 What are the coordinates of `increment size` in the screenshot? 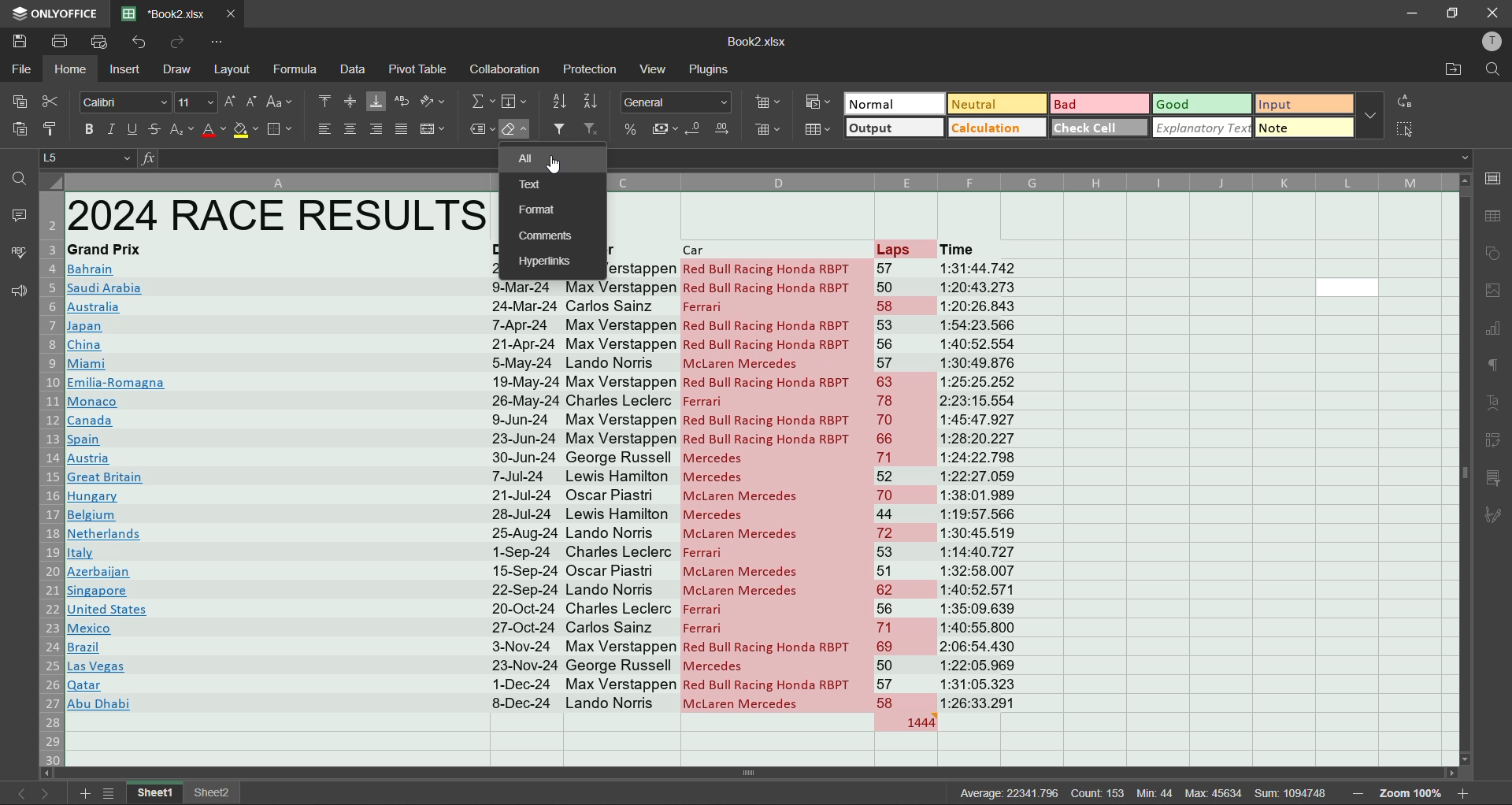 It's located at (232, 102).